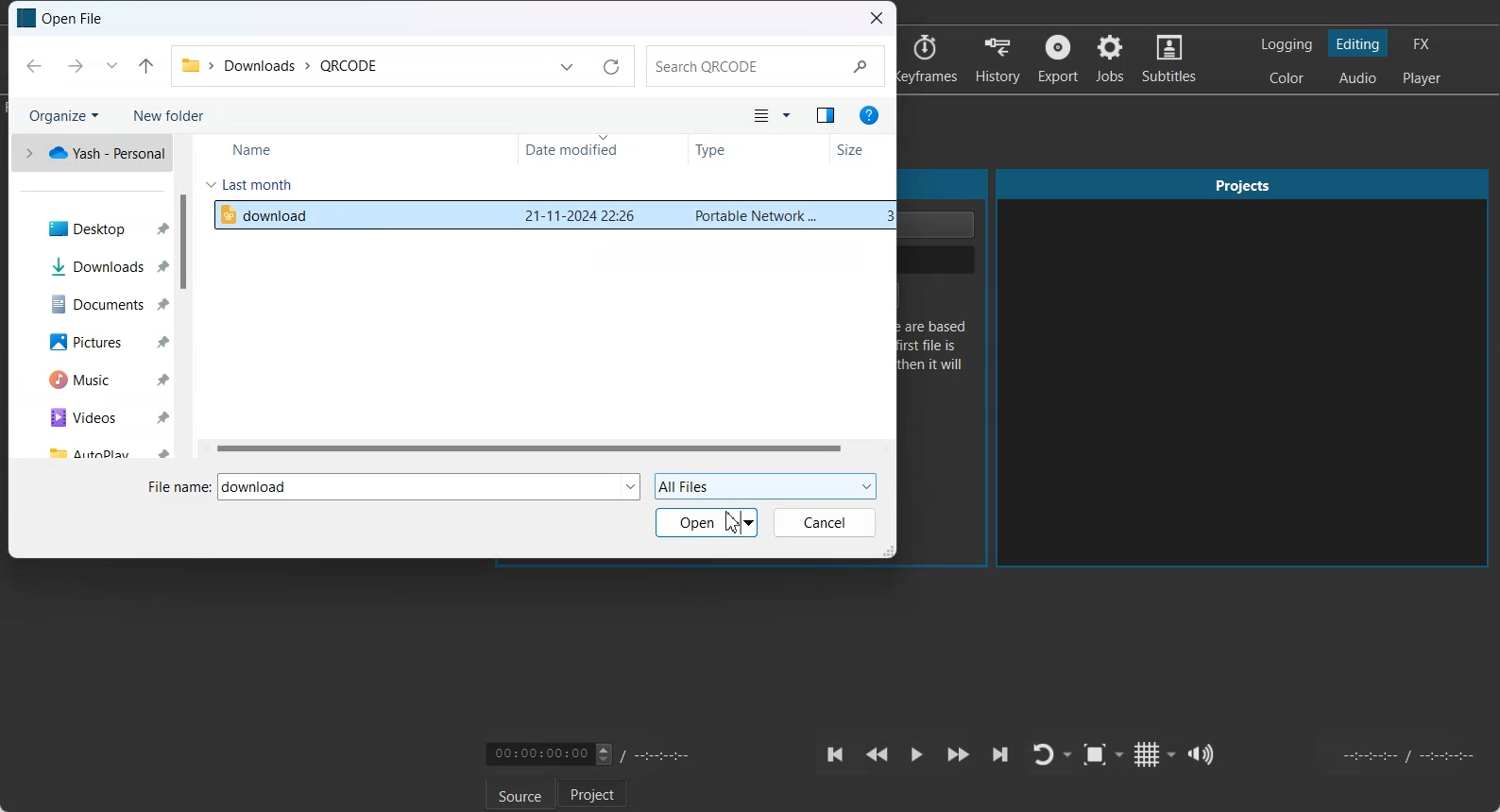  What do you see at coordinates (63, 116) in the screenshot?
I see `Organize` at bounding box center [63, 116].